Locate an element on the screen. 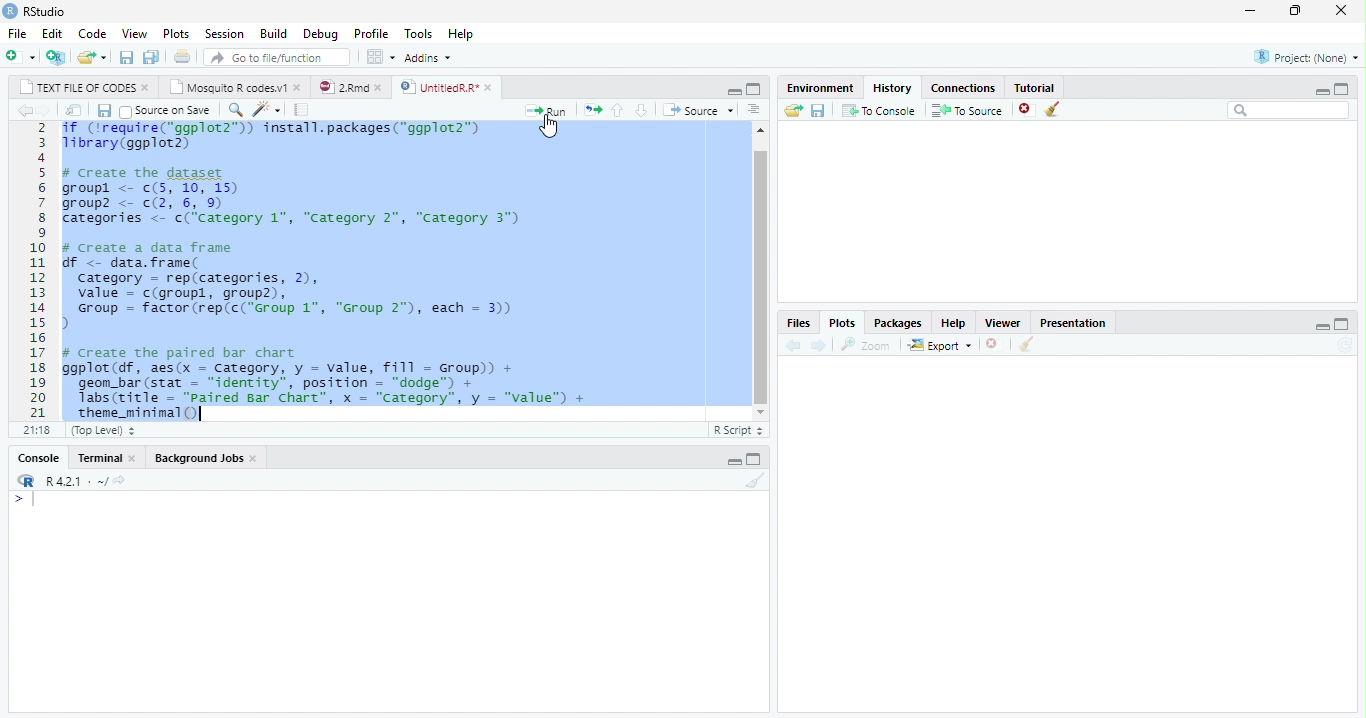 This screenshot has width=1366, height=718. next plot is located at coordinates (822, 345).